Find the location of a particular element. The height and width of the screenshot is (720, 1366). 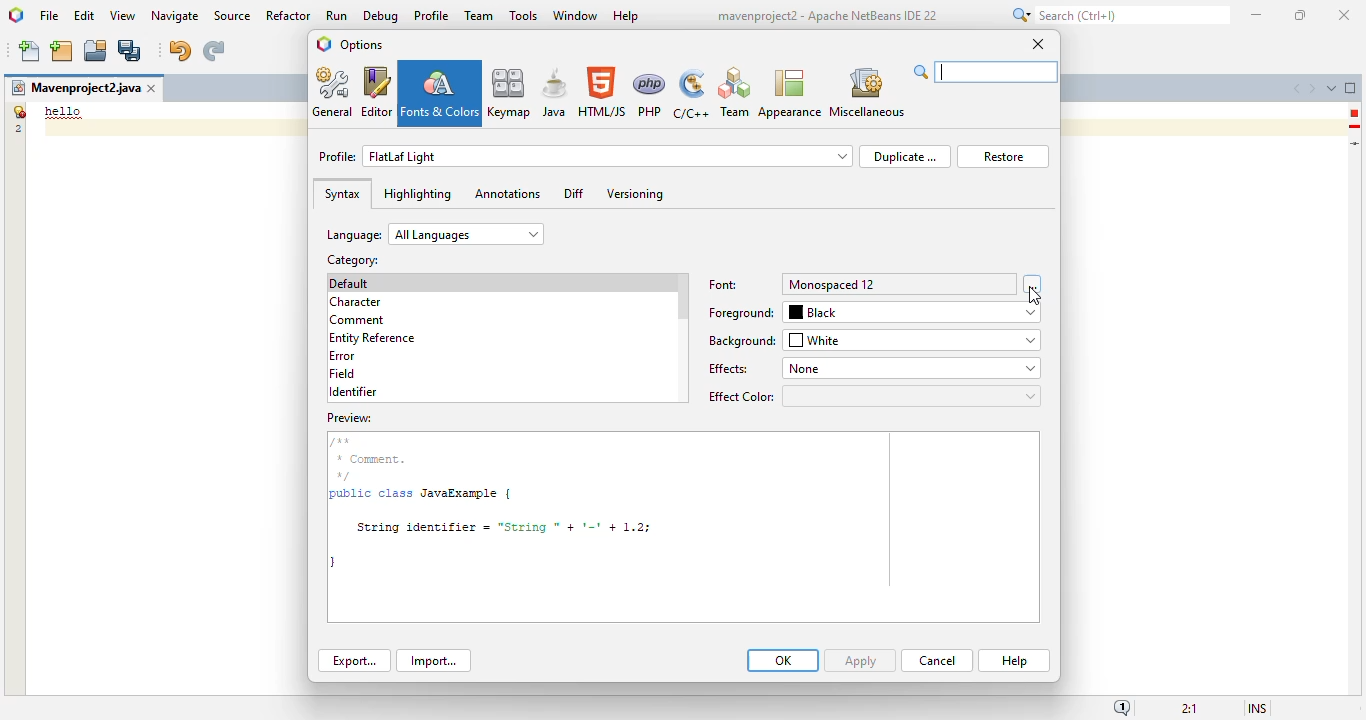

search is located at coordinates (985, 72).